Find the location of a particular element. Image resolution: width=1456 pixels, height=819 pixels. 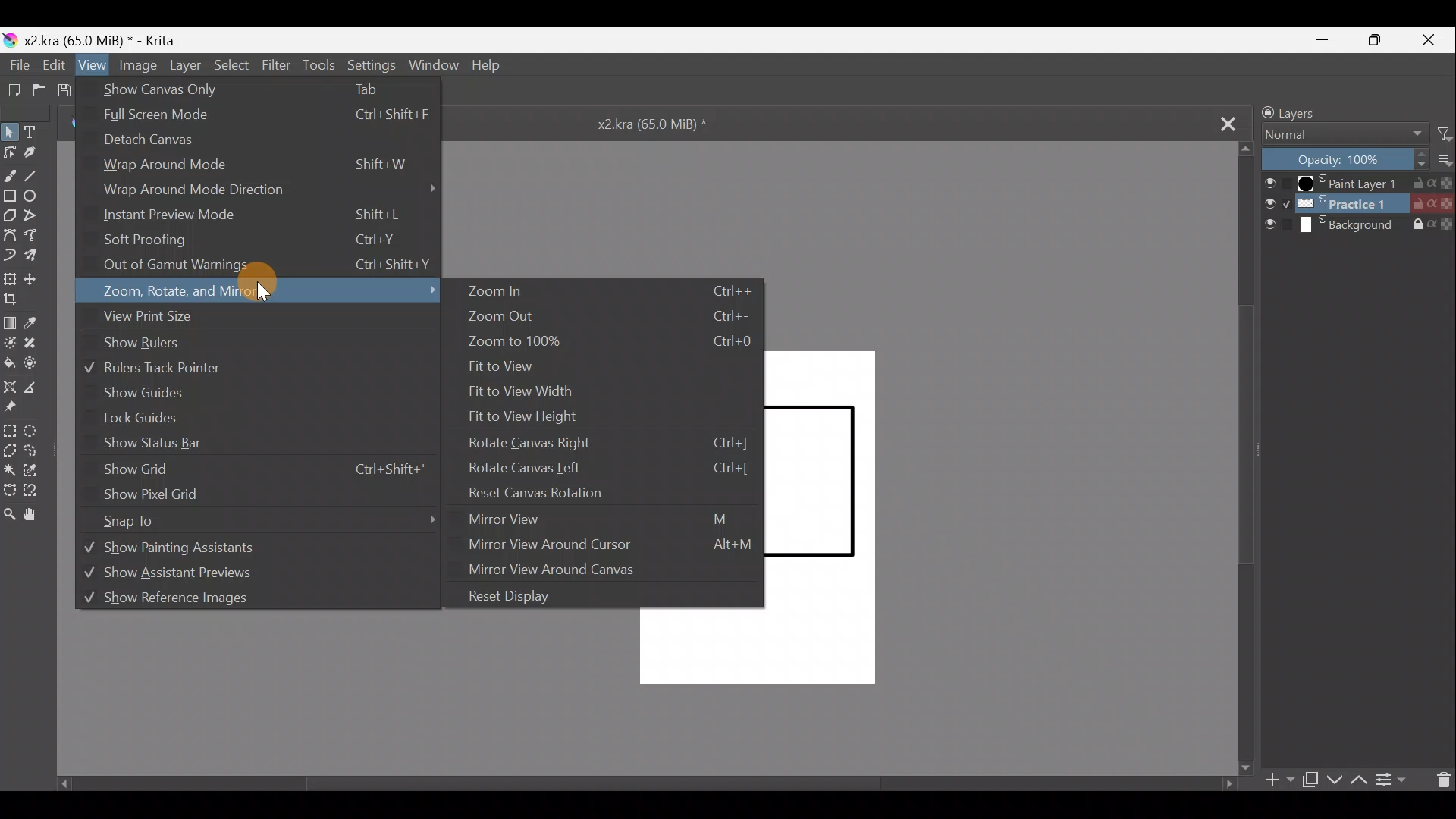

Mirror view is located at coordinates (610, 519).